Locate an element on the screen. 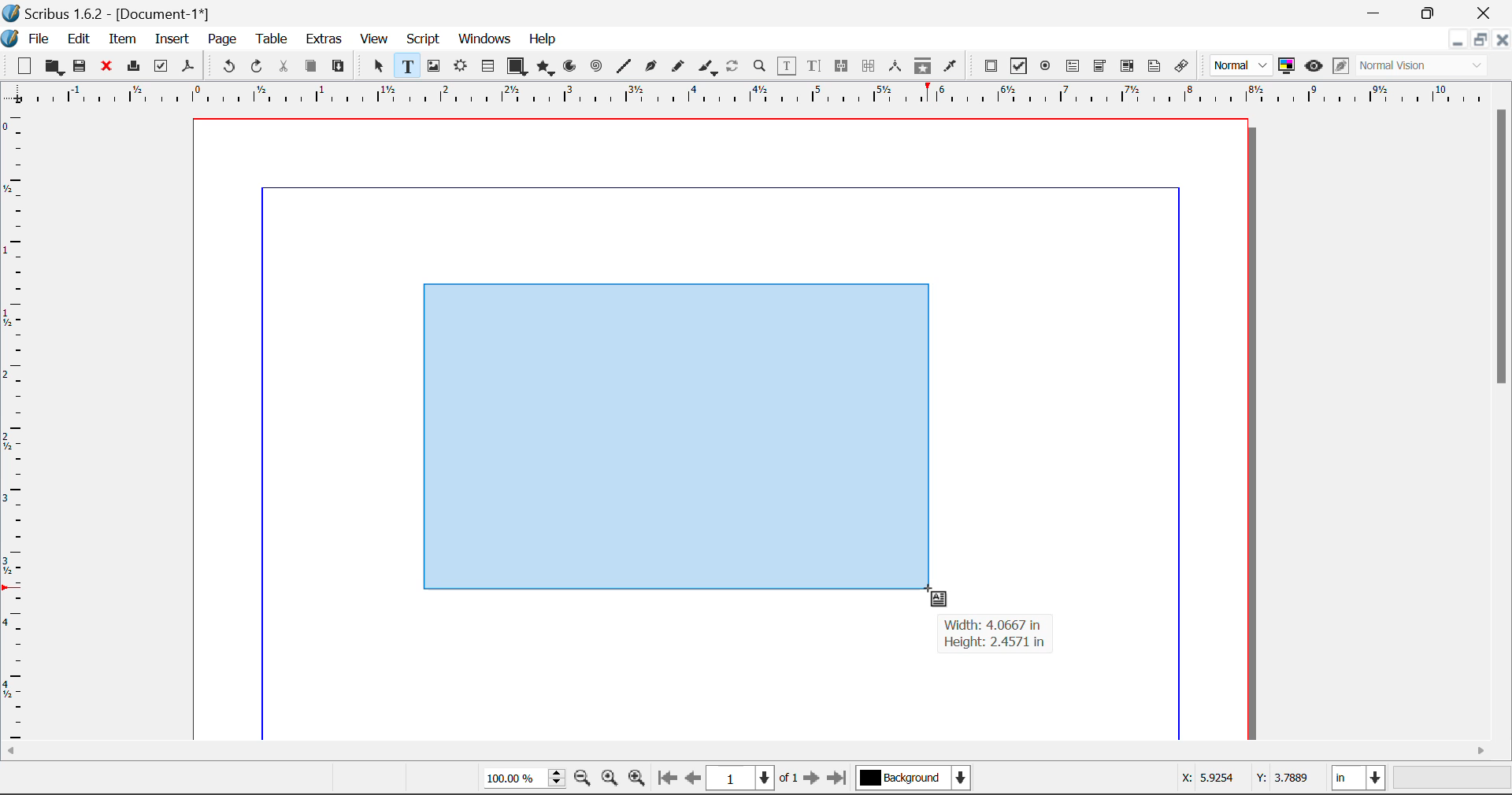 This screenshot has height=795, width=1512. Display Visual Appearance is located at coordinates (1428, 66).